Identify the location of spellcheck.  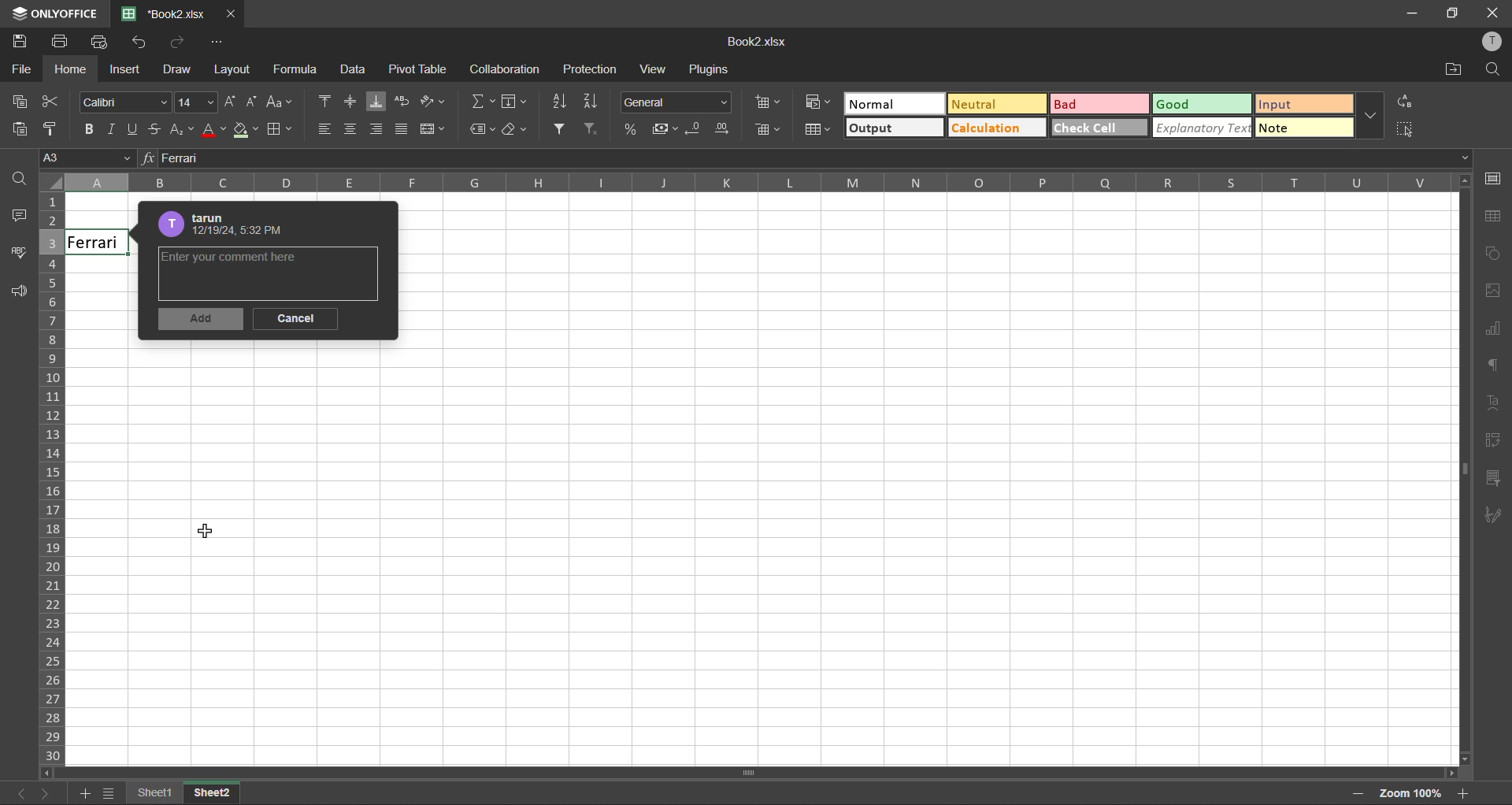
(16, 255).